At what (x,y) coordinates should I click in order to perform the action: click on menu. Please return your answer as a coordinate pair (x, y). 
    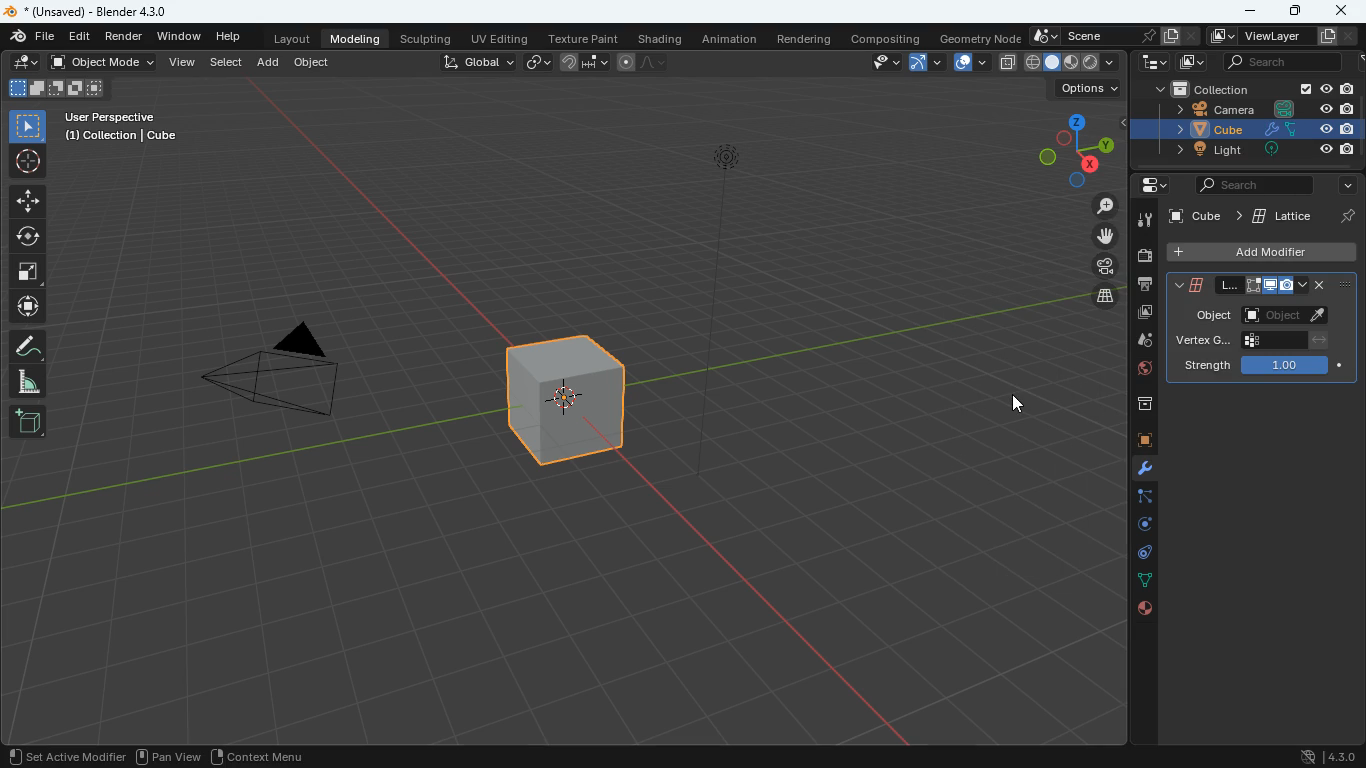
    Looking at the image, I should click on (262, 755).